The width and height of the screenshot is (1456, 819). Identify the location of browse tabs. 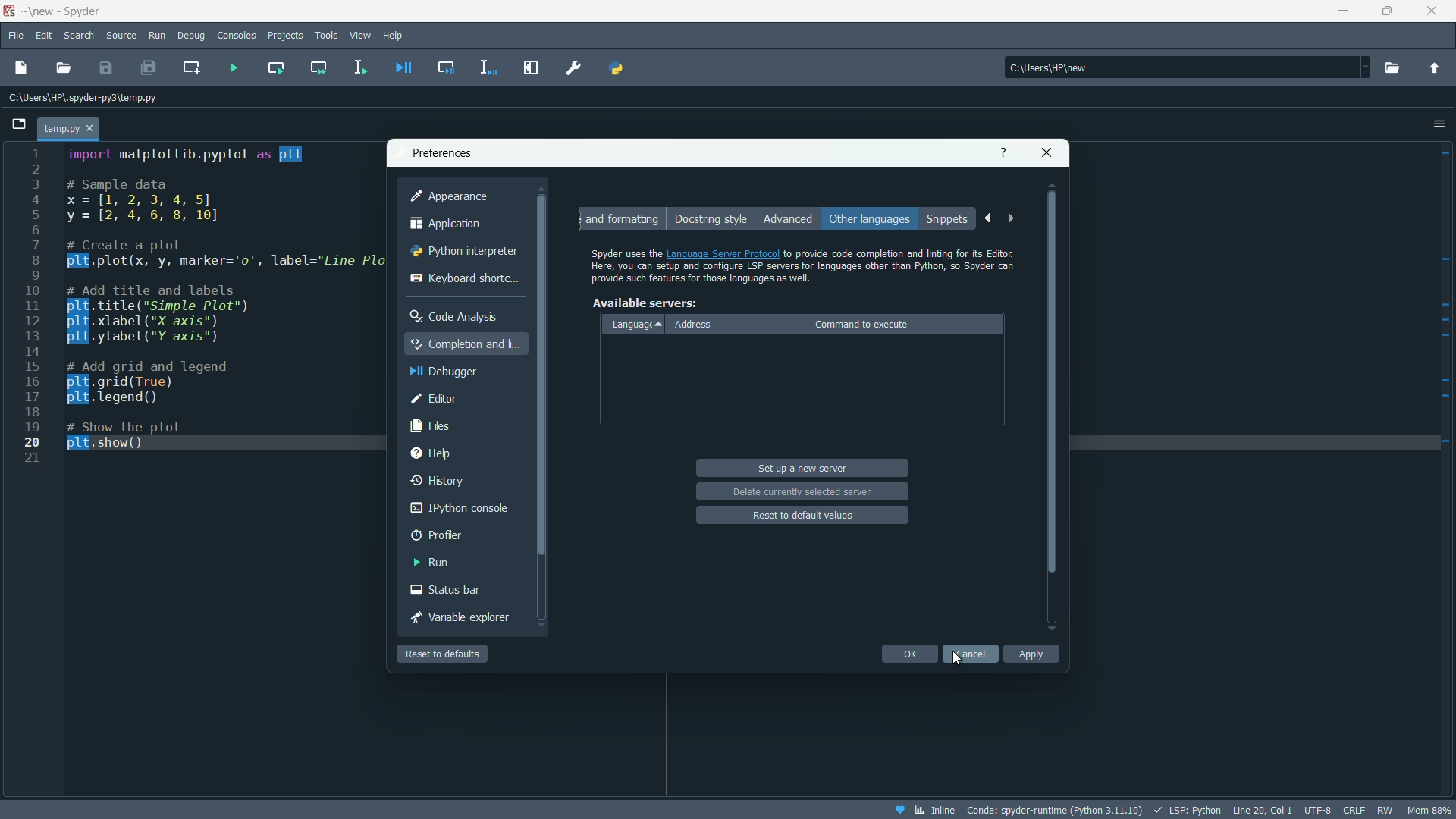
(20, 123).